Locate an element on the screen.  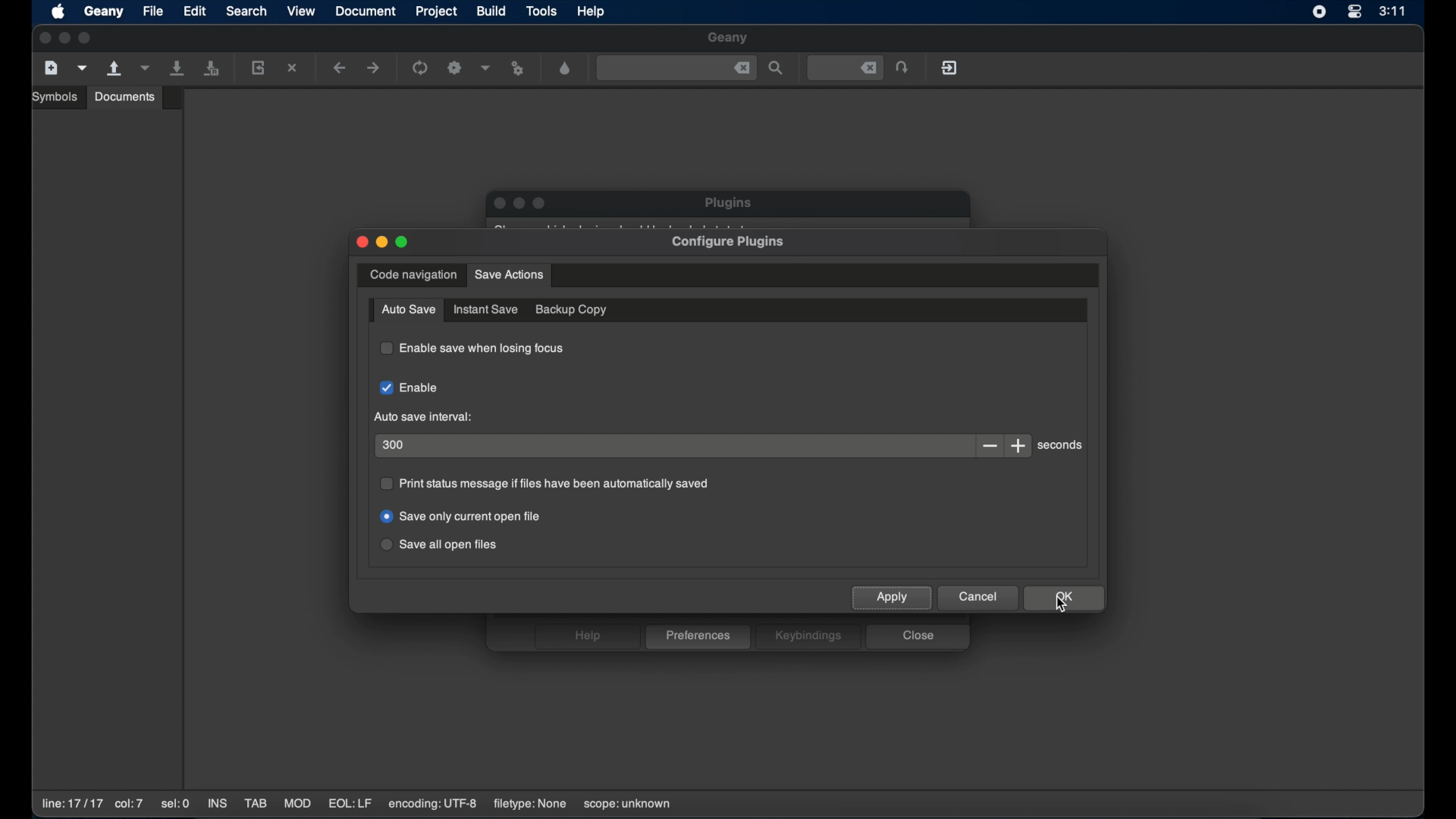
minimize is located at coordinates (65, 39).